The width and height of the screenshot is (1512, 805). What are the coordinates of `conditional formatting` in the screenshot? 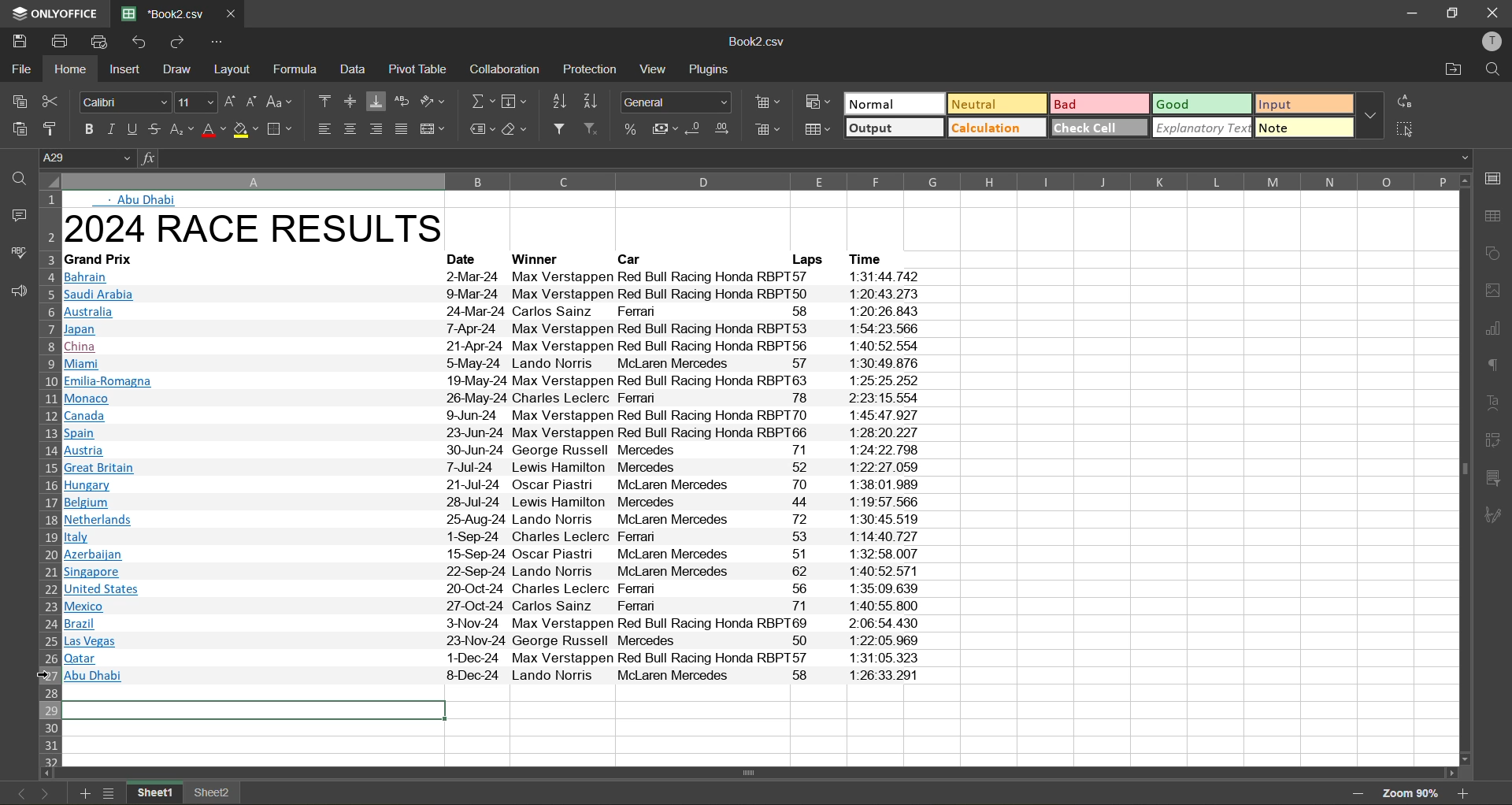 It's located at (814, 105).